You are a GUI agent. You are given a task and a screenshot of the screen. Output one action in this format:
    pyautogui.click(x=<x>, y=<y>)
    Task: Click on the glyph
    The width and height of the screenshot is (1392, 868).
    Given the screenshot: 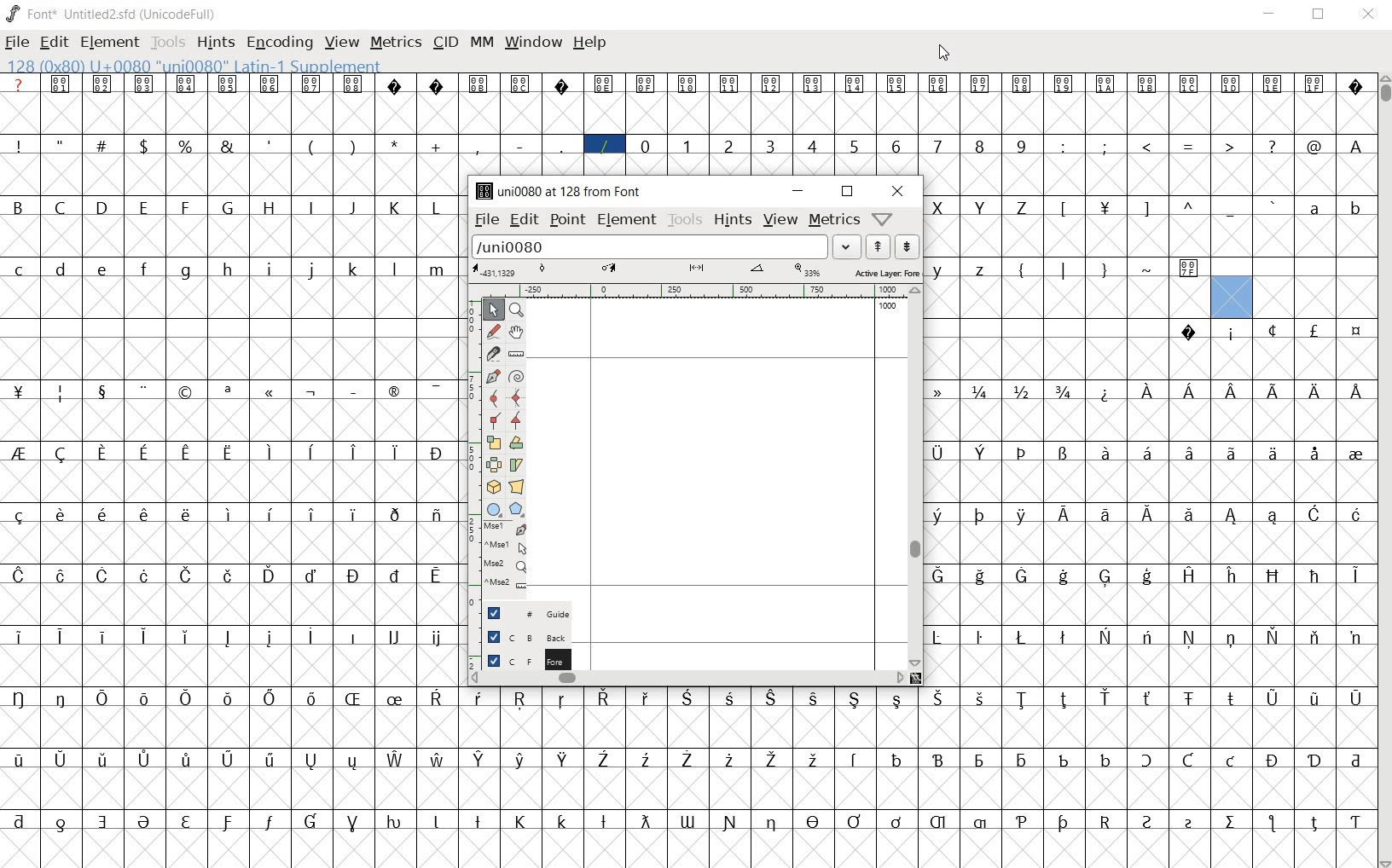 What is the action you would take?
    pyautogui.click(x=1022, y=146)
    